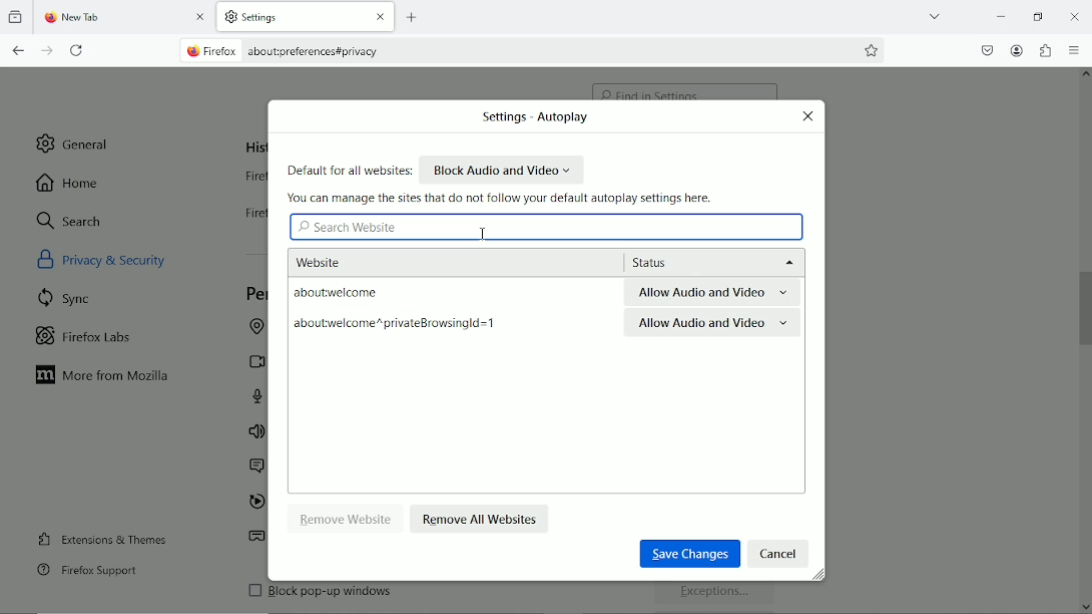  Describe the element at coordinates (1045, 50) in the screenshot. I see `extensions` at that location.